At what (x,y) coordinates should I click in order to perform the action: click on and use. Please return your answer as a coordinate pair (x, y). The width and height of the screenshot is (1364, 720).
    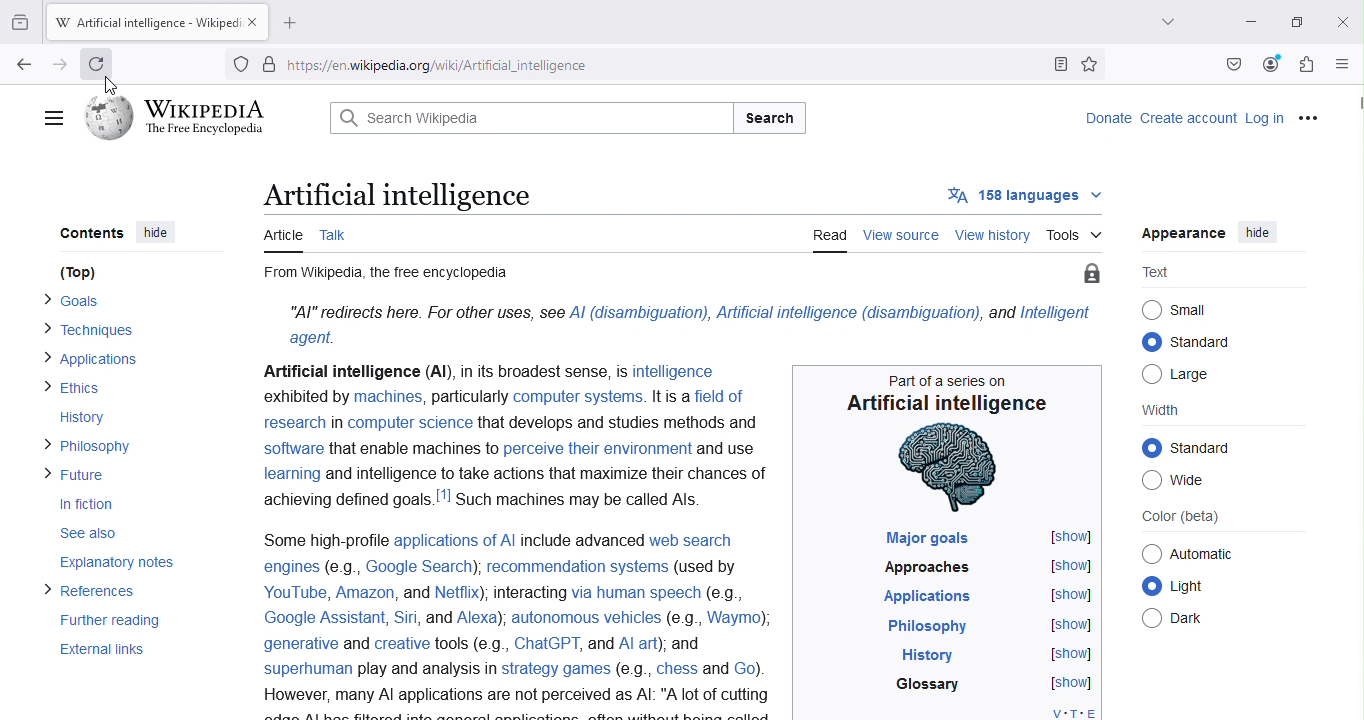
    Looking at the image, I should click on (731, 451).